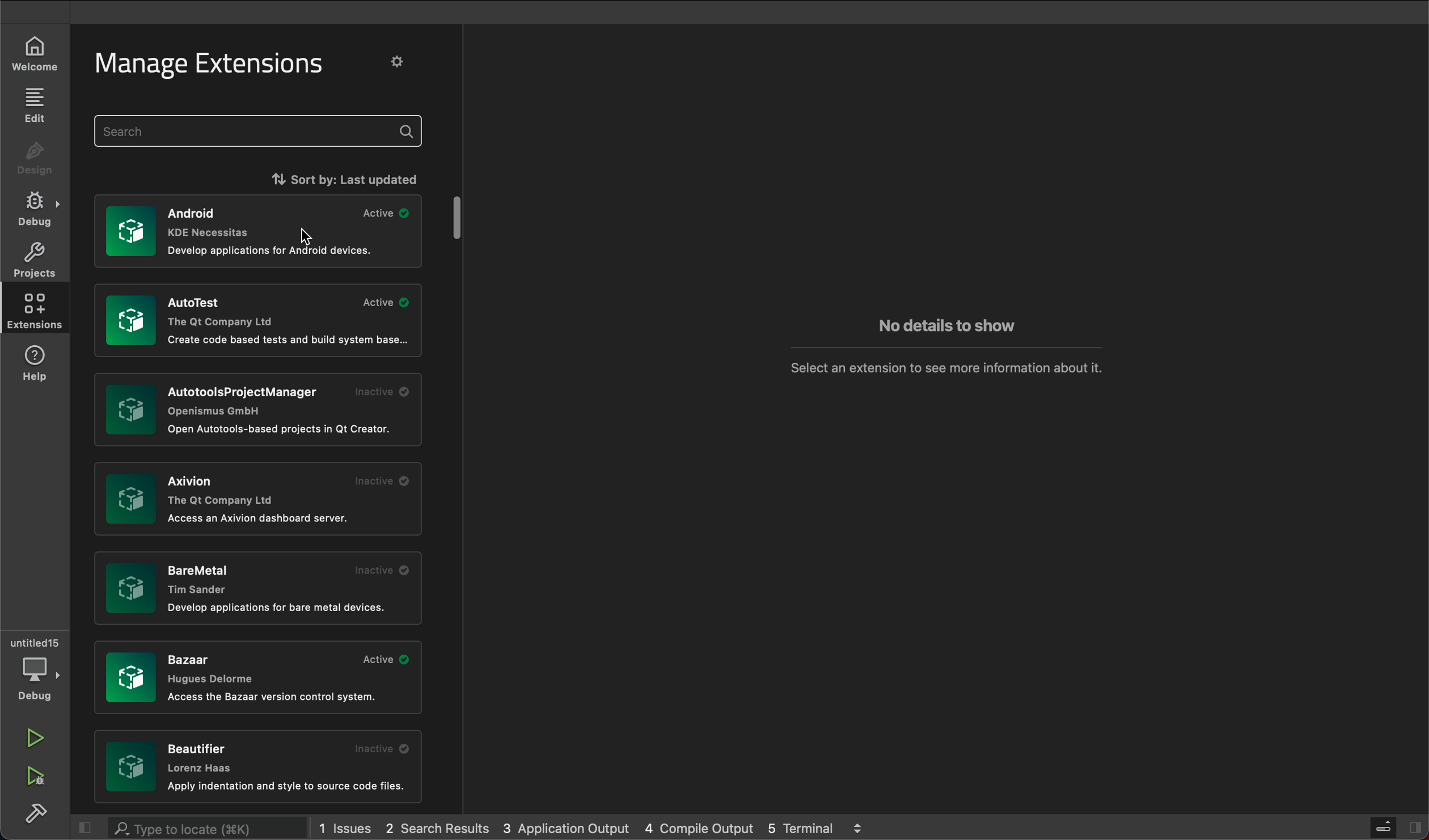  Describe the element at coordinates (257, 322) in the screenshot. I see `extensions list` at that location.